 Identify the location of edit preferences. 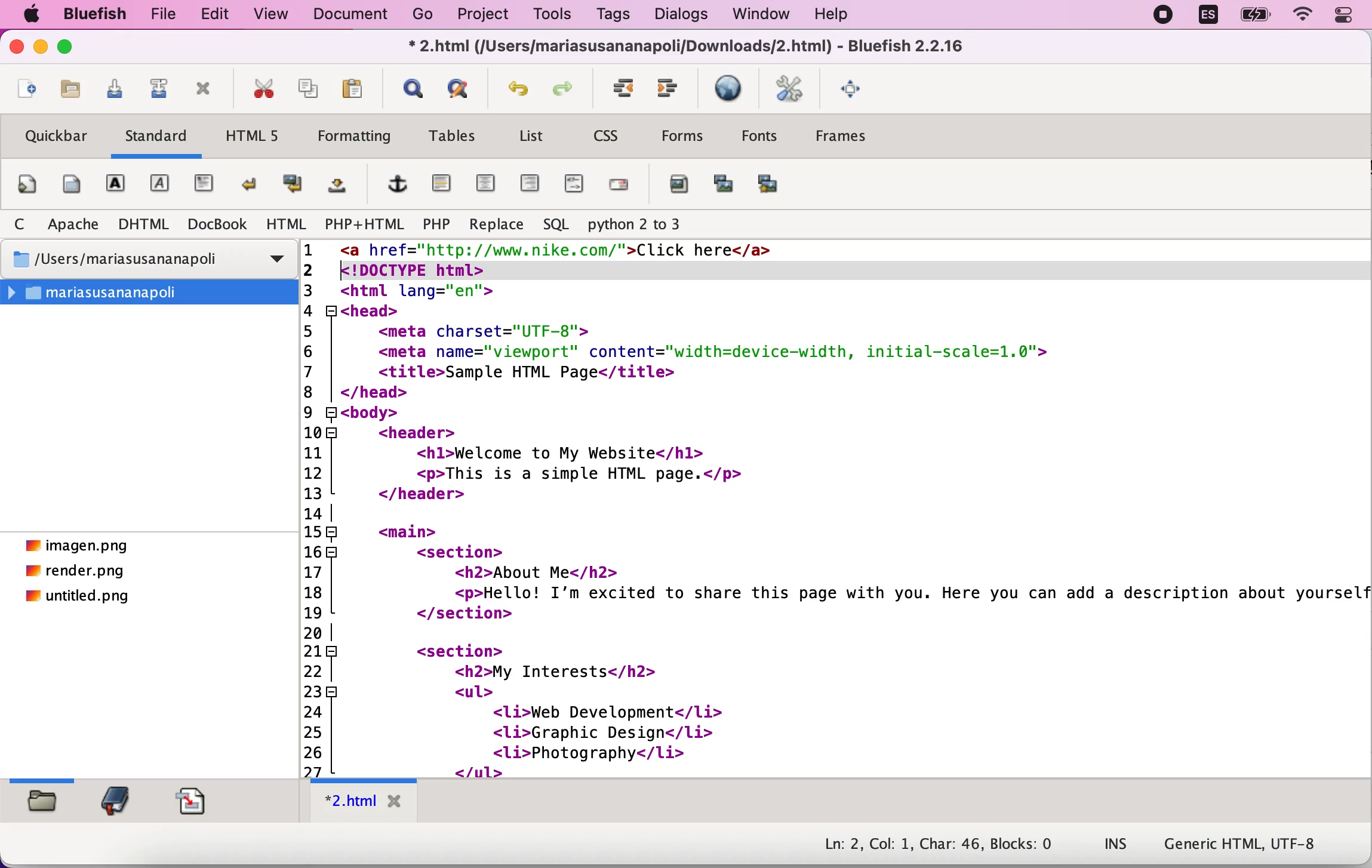
(788, 91).